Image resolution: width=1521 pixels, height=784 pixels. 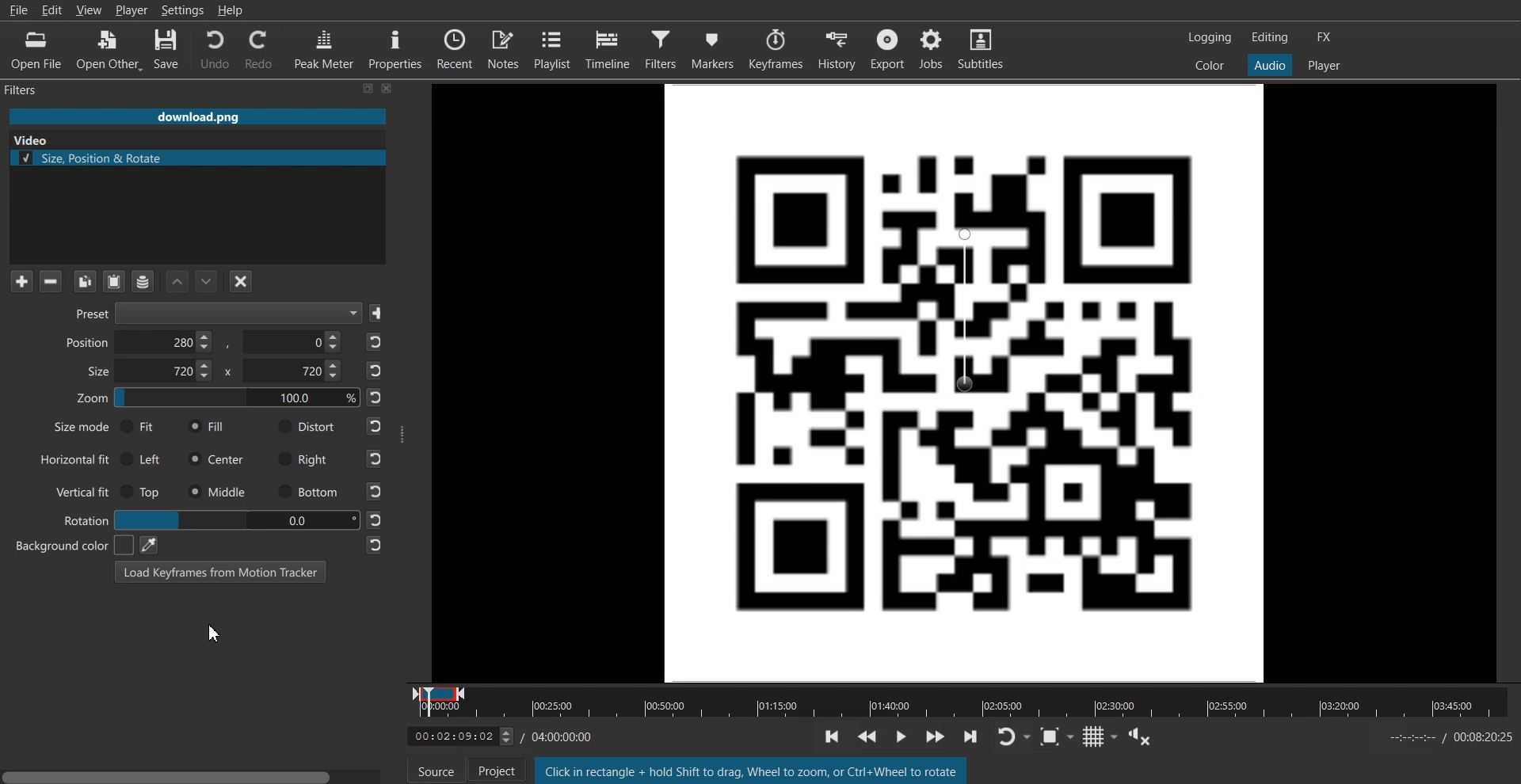 What do you see at coordinates (116, 280) in the screenshot?
I see `Paste Filter` at bounding box center [116, 280].